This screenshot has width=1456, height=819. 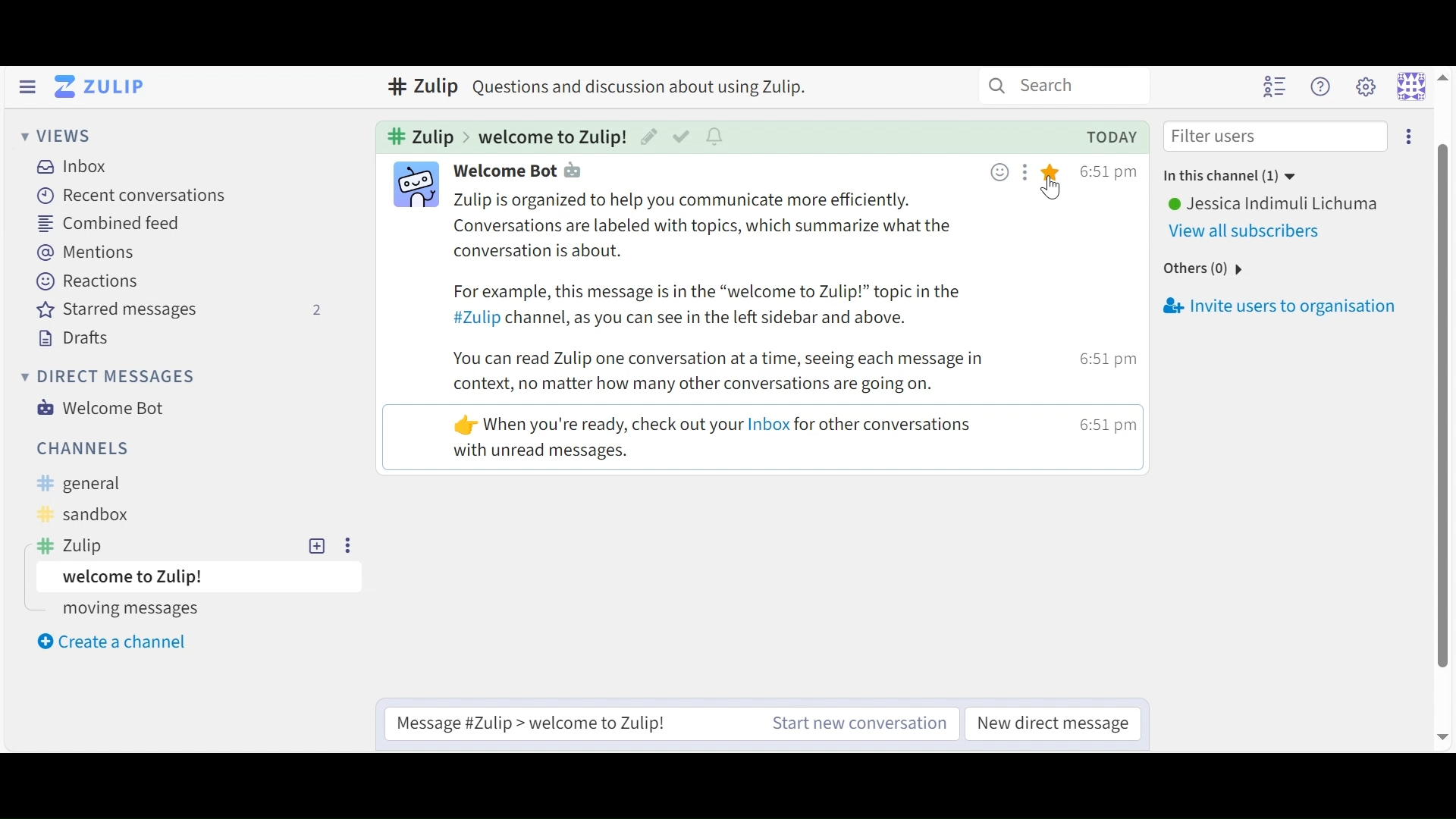 What do you see at coordinates (859, 723) in the screenshot?
I see `New Channel message` at bounding box center [859, 723].